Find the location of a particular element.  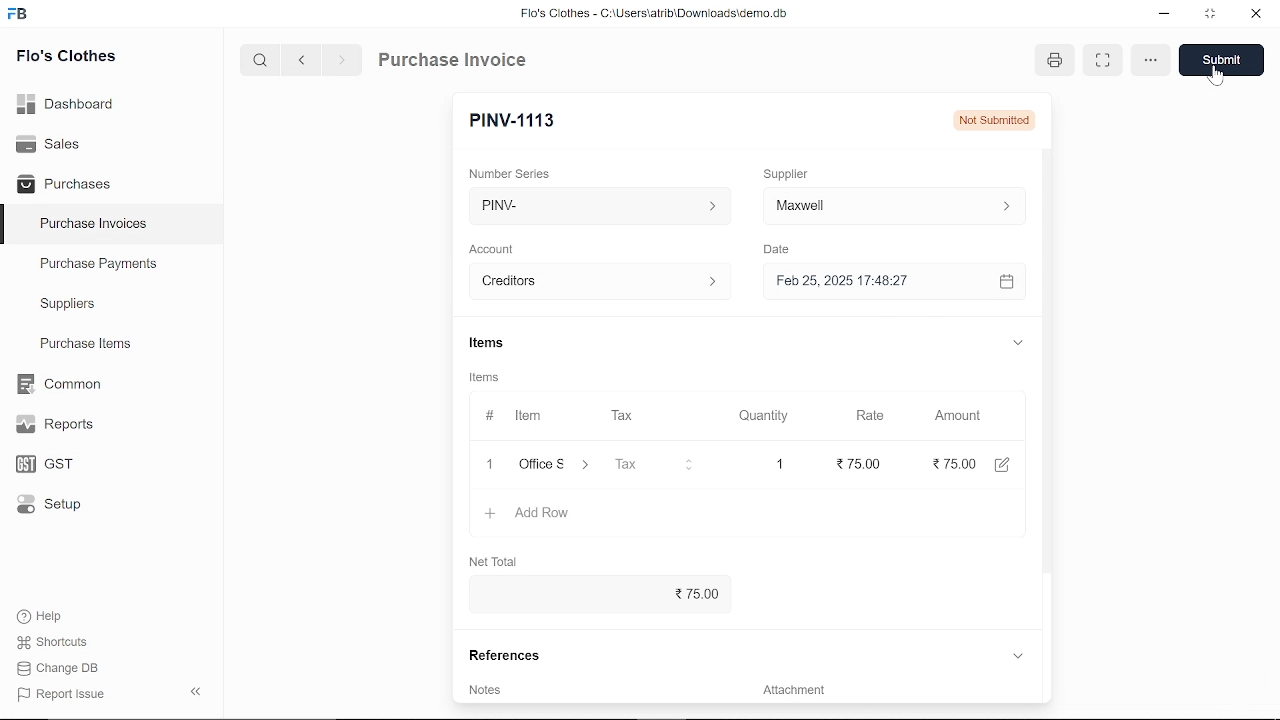

PINV- > is located at coordinates (593, 206).